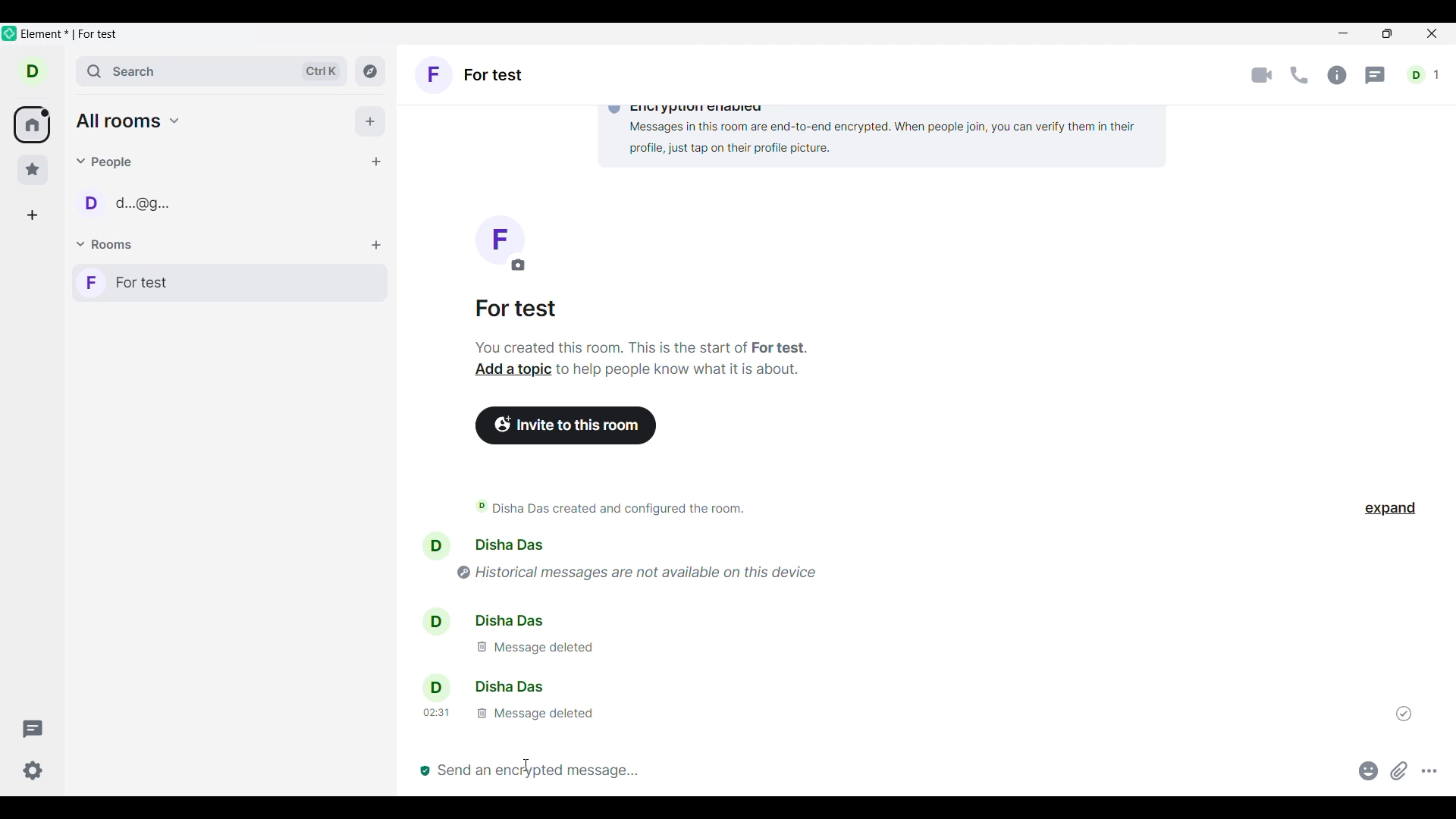  I want to click on People , so click(107, 162).